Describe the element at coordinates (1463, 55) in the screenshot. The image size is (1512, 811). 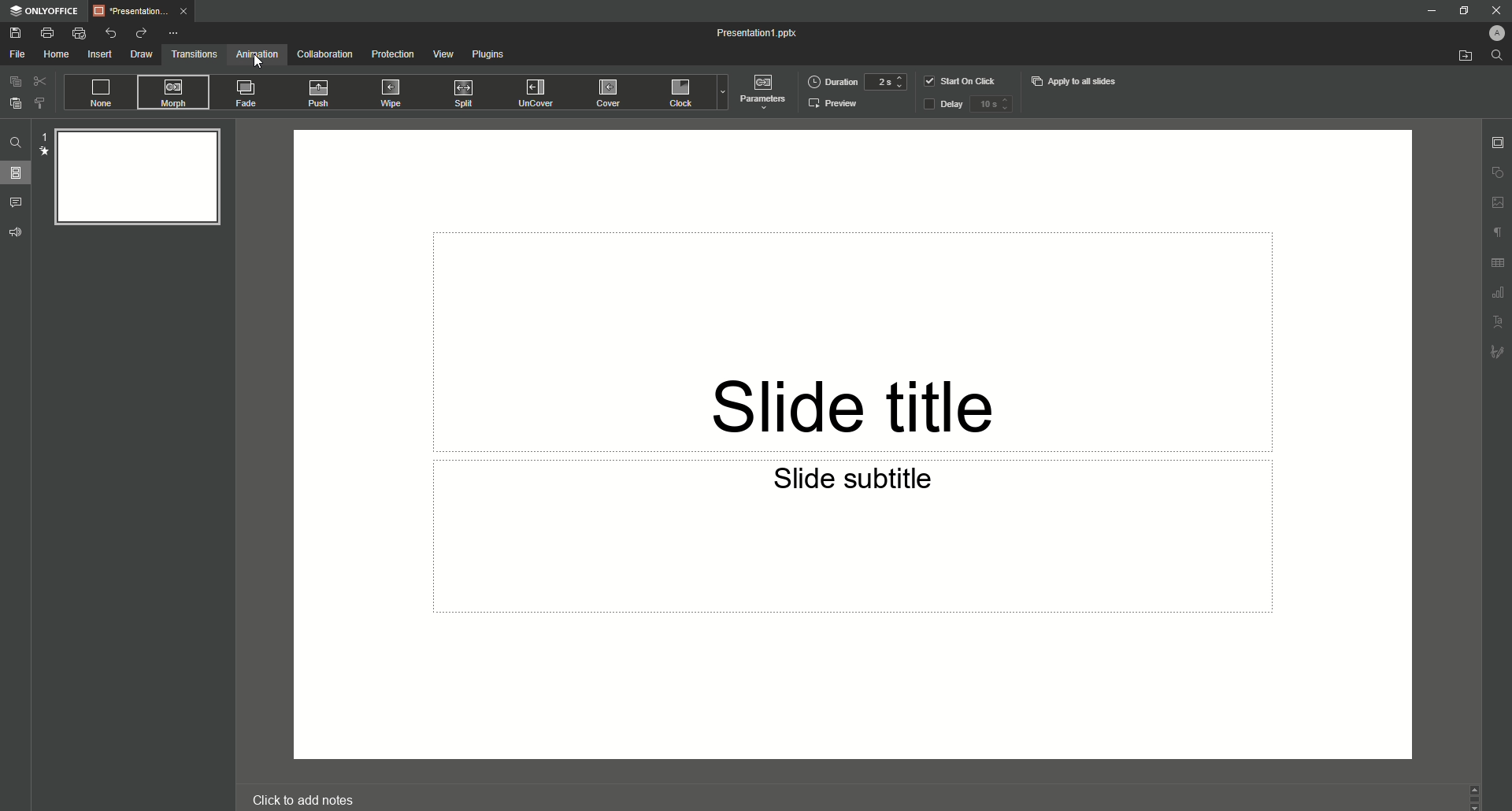
I see `Open From File` at that location.